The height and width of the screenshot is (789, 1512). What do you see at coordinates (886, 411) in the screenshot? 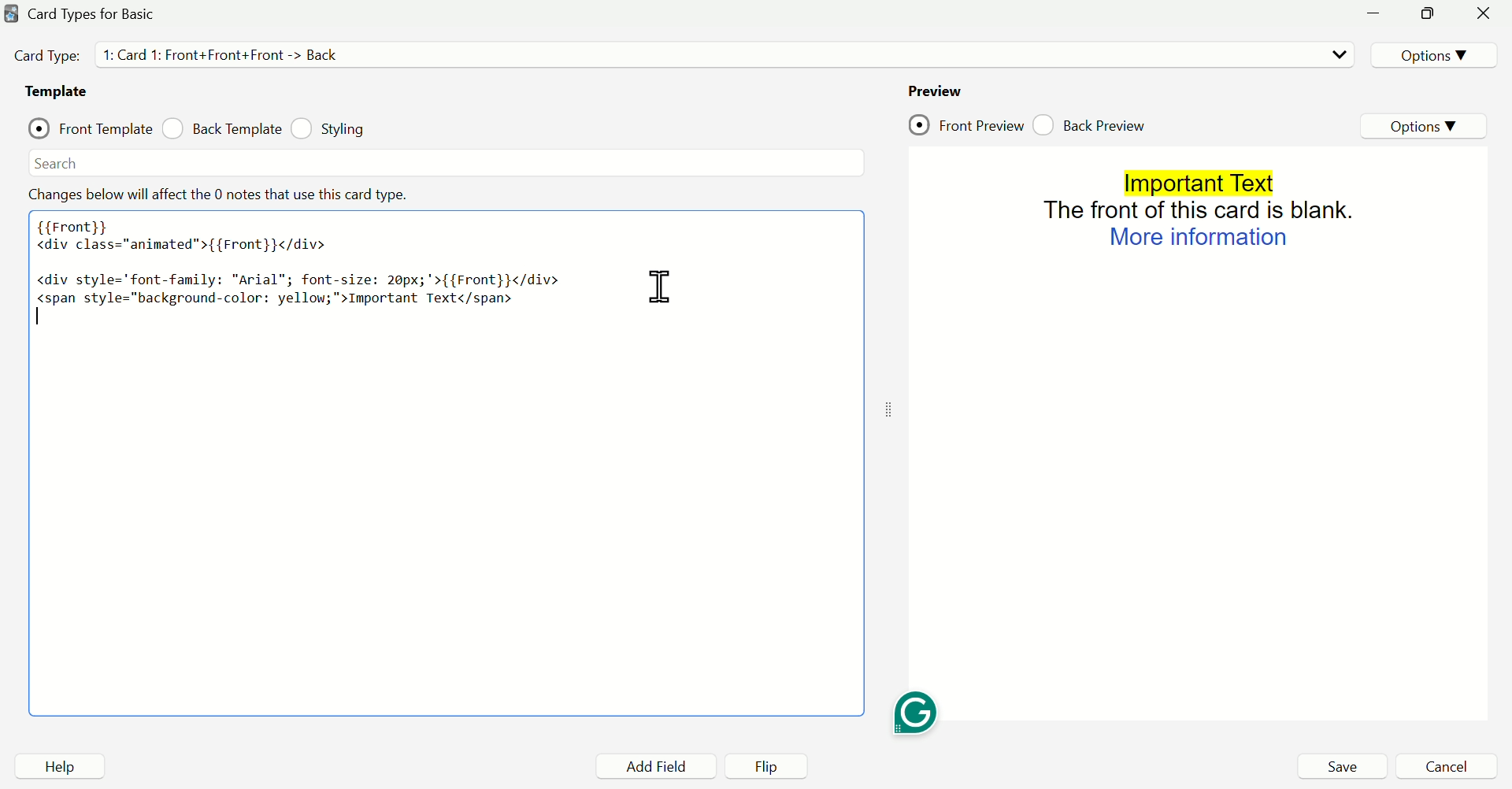
I see `Drag Handle` at bounding box center [886, 411].